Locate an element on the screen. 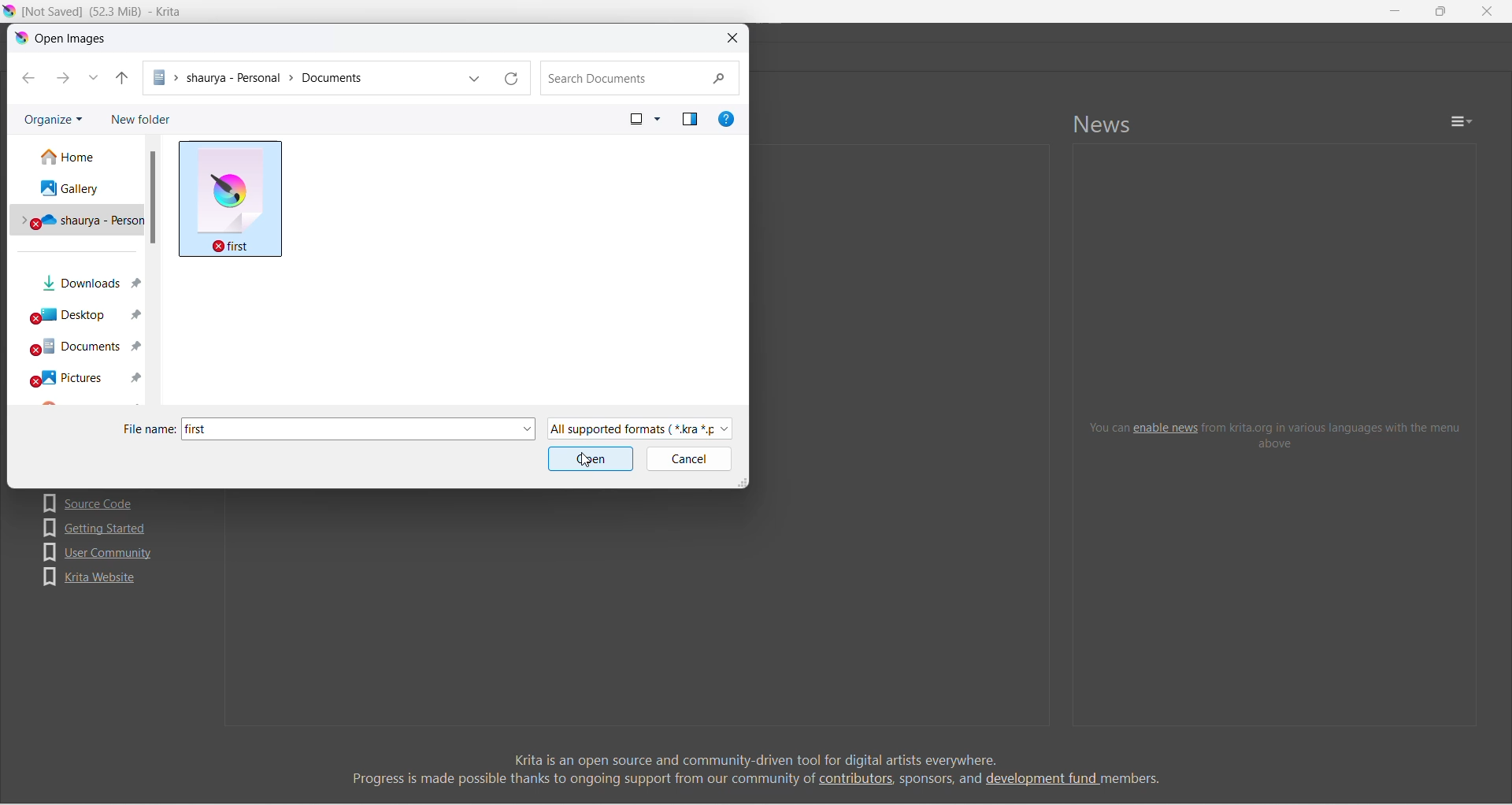 The height and width of the screenshot is (805, 1512). desktop is located at coordinates (83, 311).